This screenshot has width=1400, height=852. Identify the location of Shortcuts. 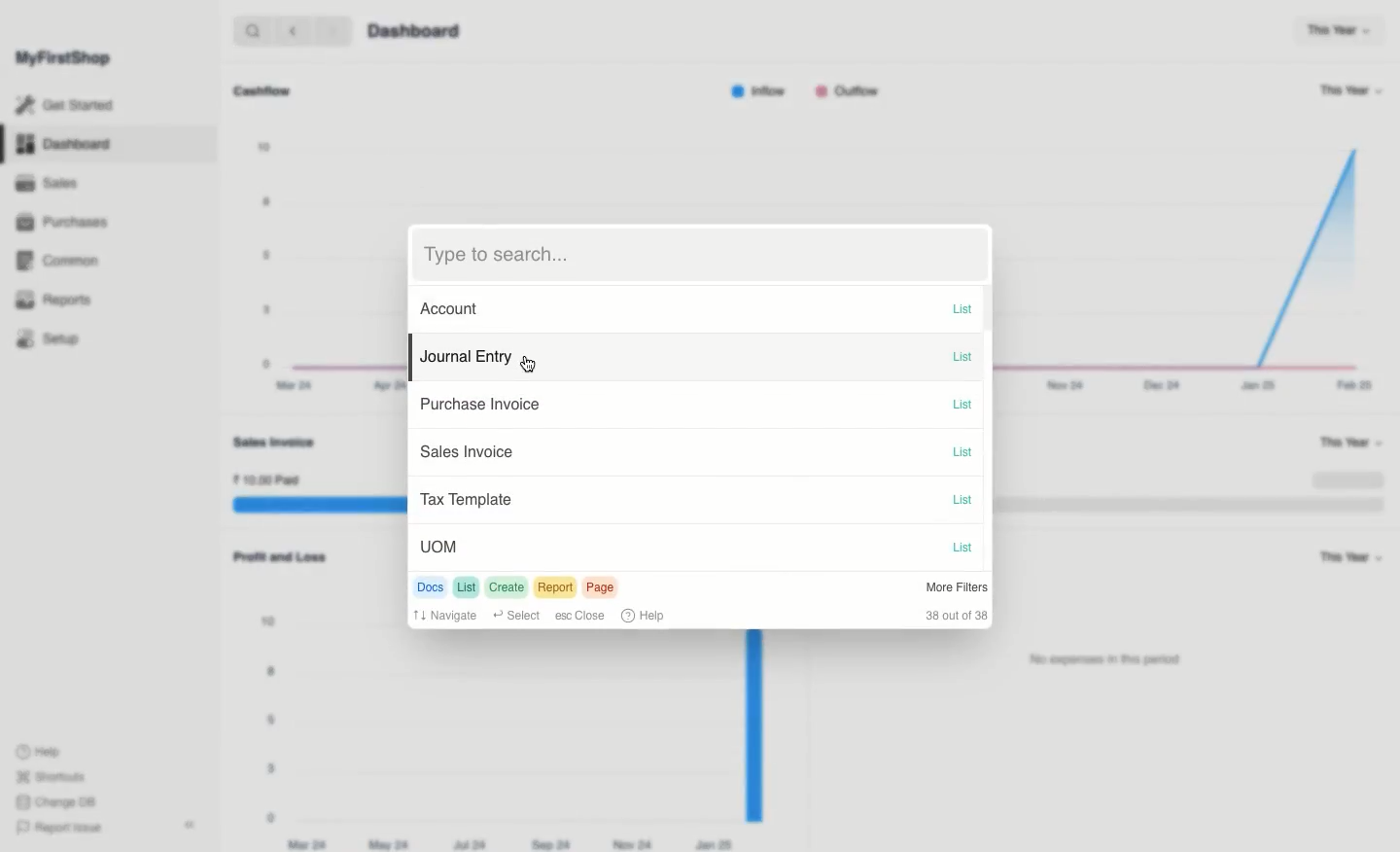
(48, 775).